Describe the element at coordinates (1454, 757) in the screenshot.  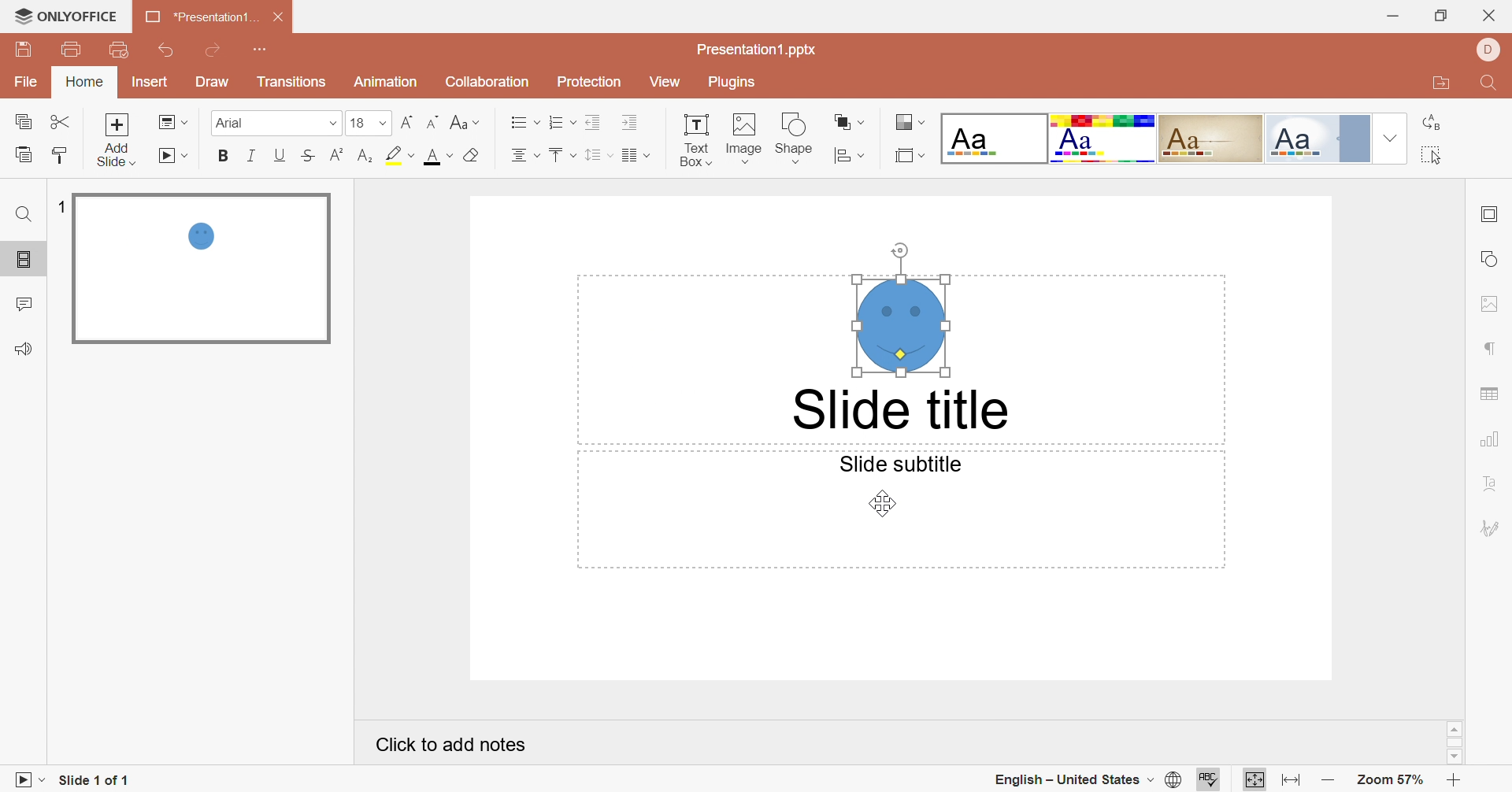
I see `scroll down` at that location.